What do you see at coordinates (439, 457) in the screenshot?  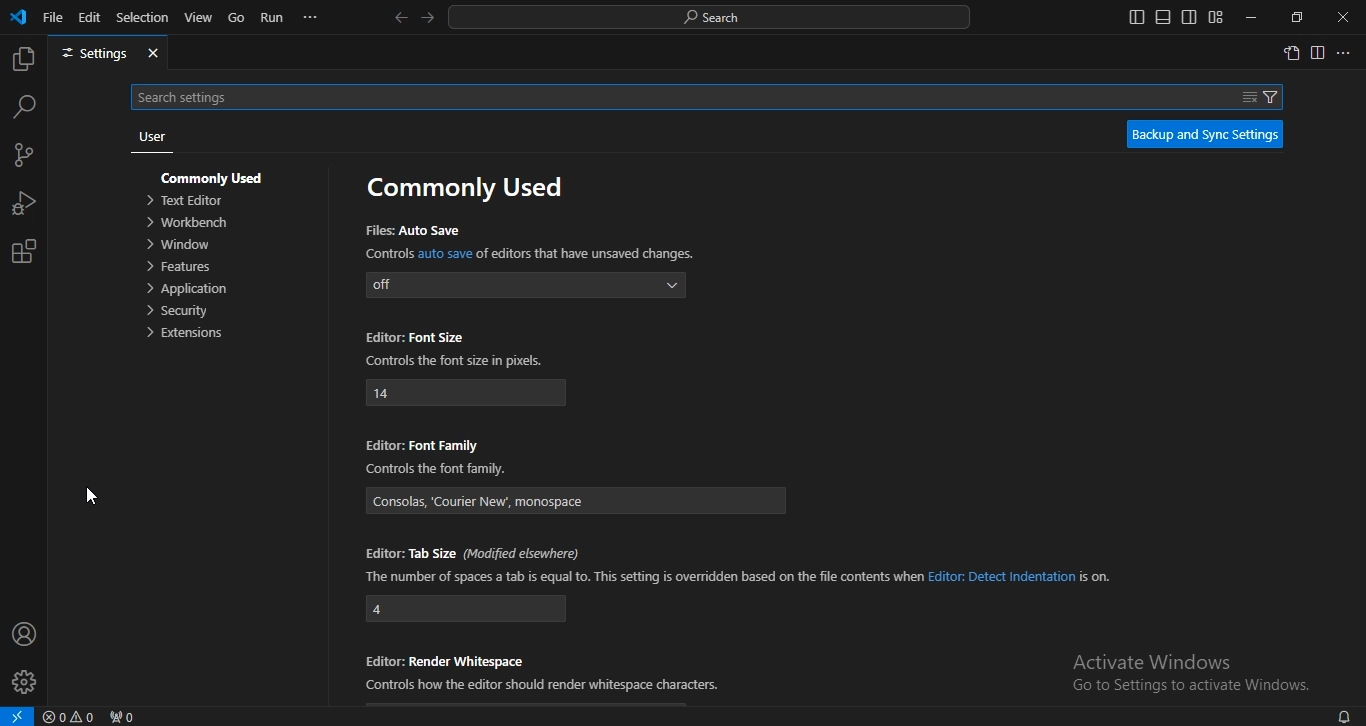 I see `Editor: Font Family
Controls the font family.` at bounding box center [439, 457].